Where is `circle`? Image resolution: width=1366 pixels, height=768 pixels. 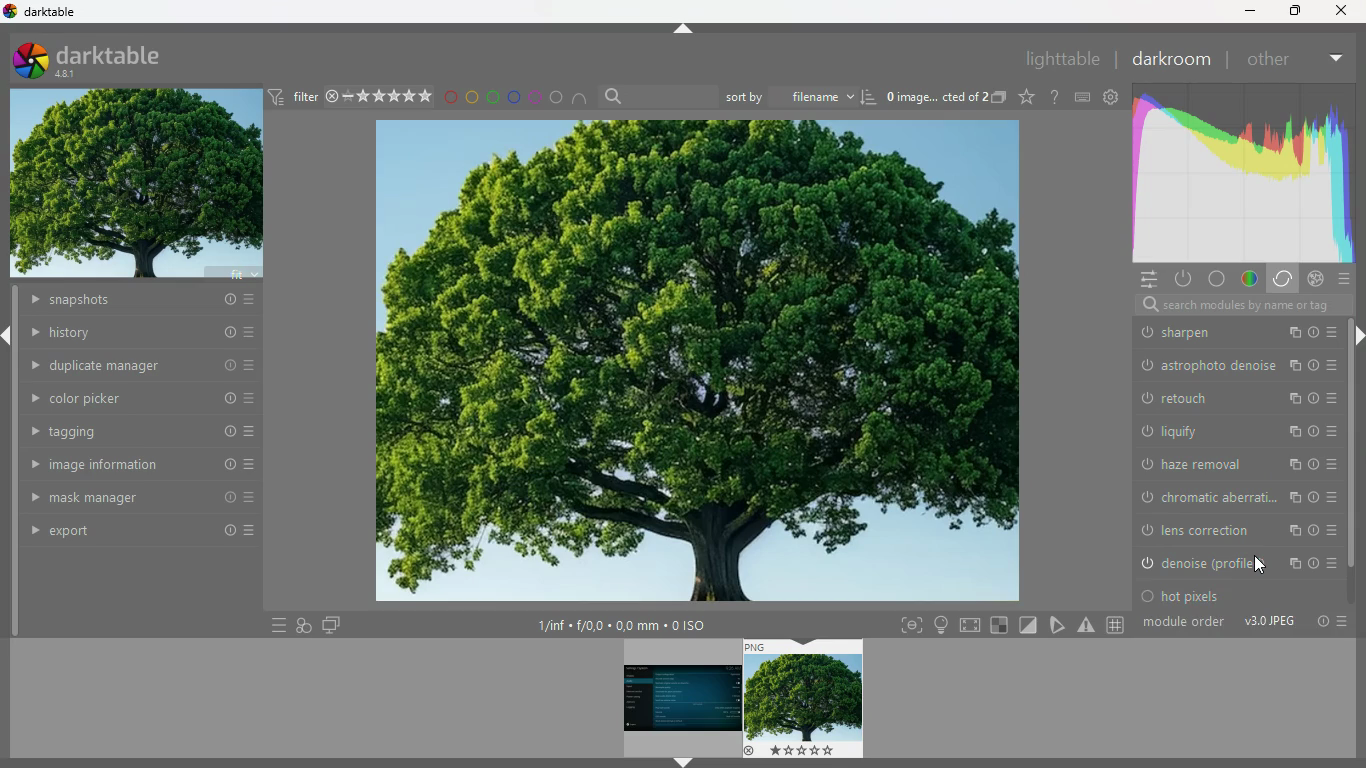
circle is located at coordinates (557, 97).